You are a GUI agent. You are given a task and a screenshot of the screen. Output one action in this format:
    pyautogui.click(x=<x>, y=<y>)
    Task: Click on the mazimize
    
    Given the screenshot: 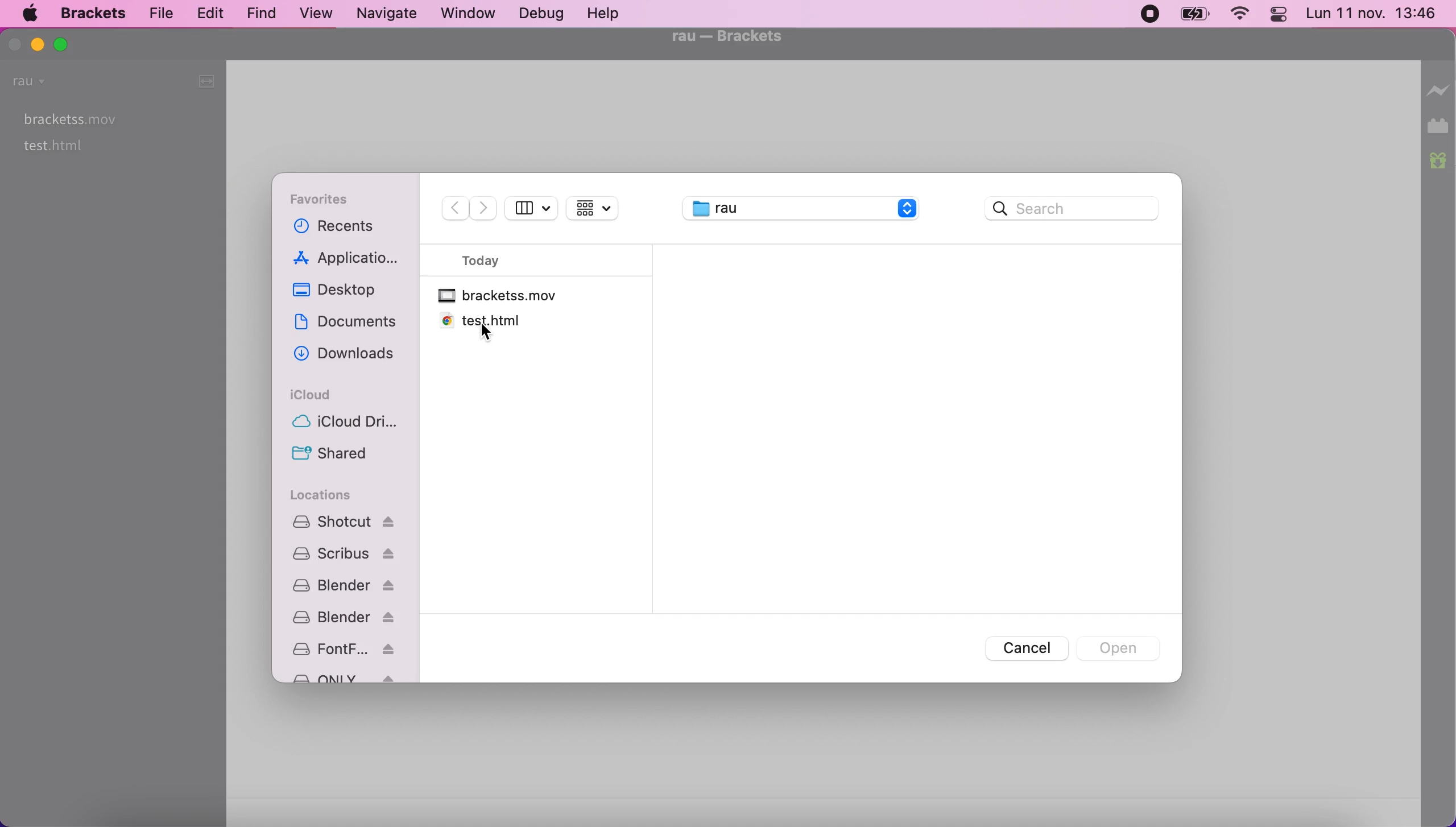 What is the action you would take?
    pyautogui.click(x=65, y=47)
    